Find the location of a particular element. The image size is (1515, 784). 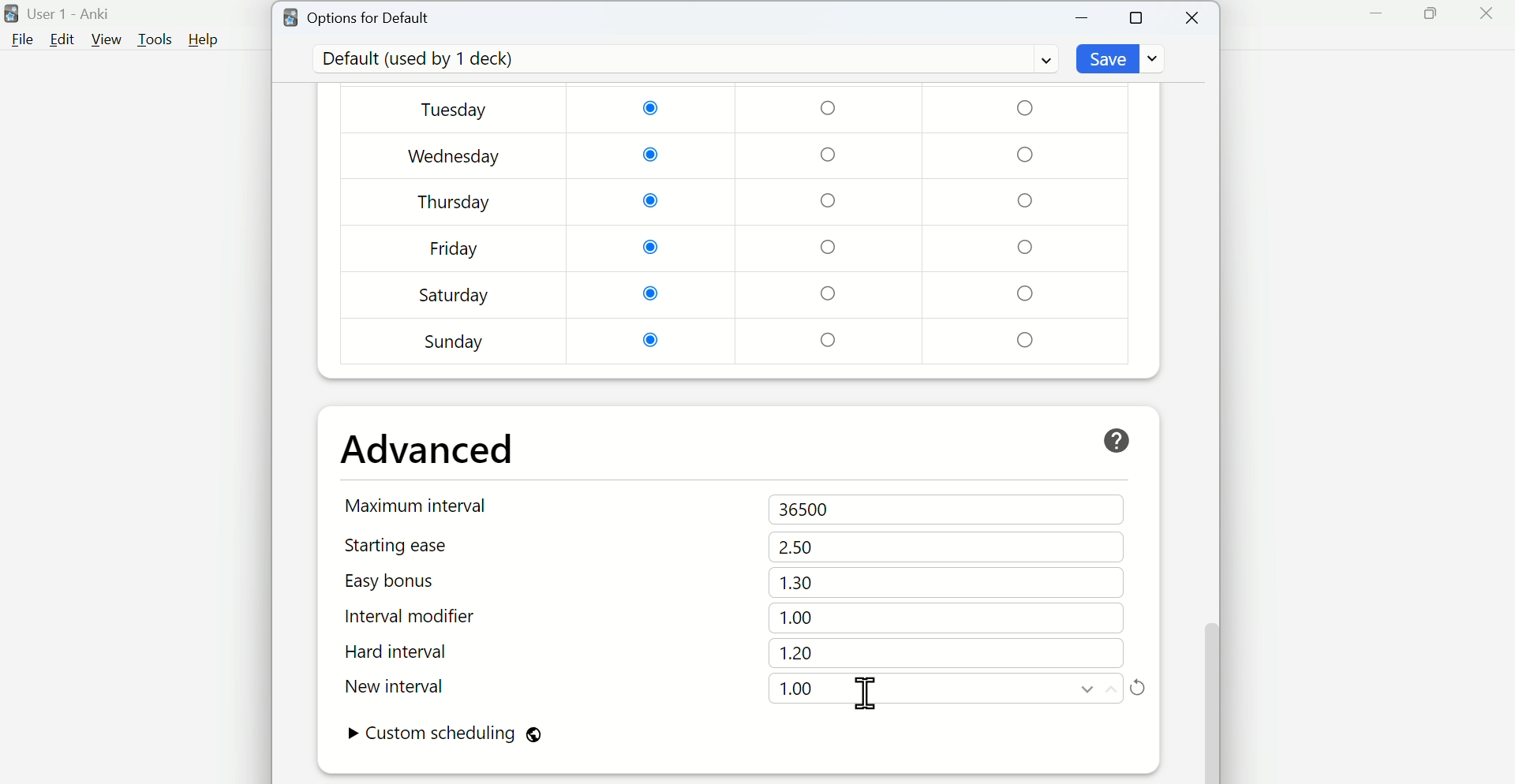

Refresh is located at coordinates (1138, 686).